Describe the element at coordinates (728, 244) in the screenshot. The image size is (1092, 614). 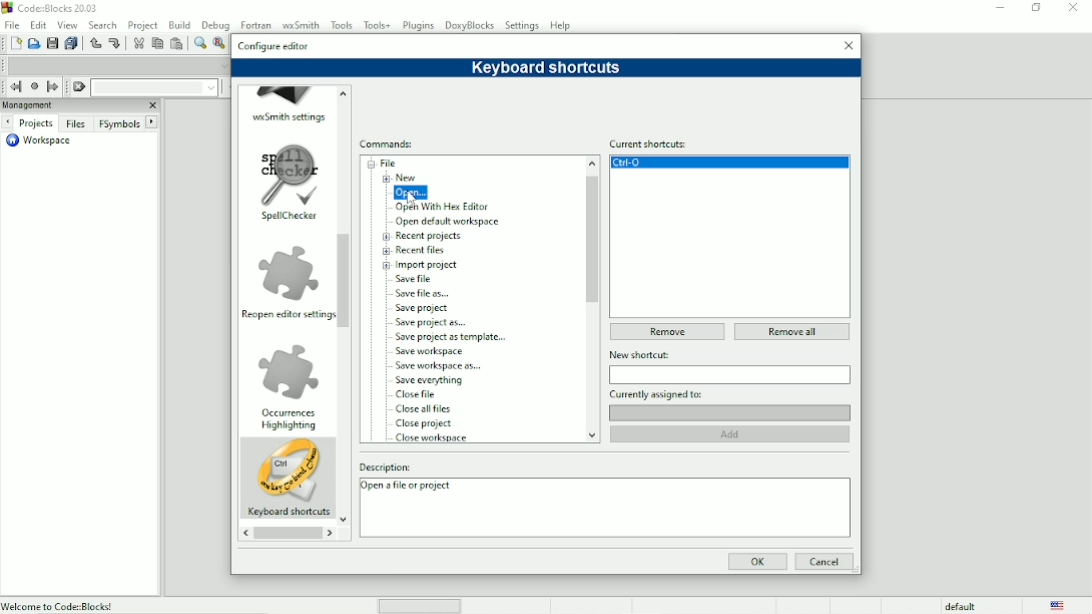
I see `` at that location.